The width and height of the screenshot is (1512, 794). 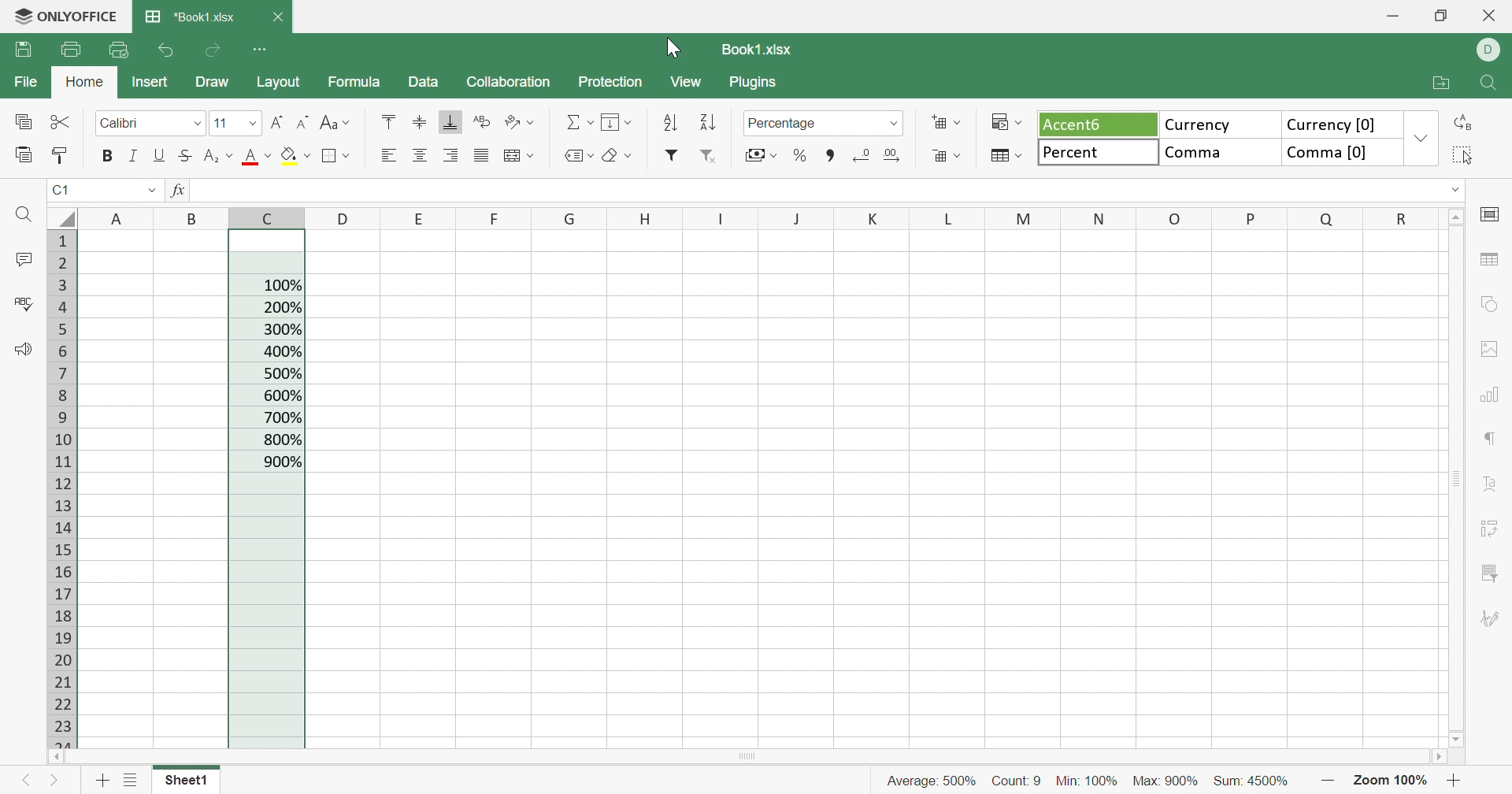 What do you see at coordinates (24, 52) in the screenshot?
I see `Save` at bounding box center [24, 52].